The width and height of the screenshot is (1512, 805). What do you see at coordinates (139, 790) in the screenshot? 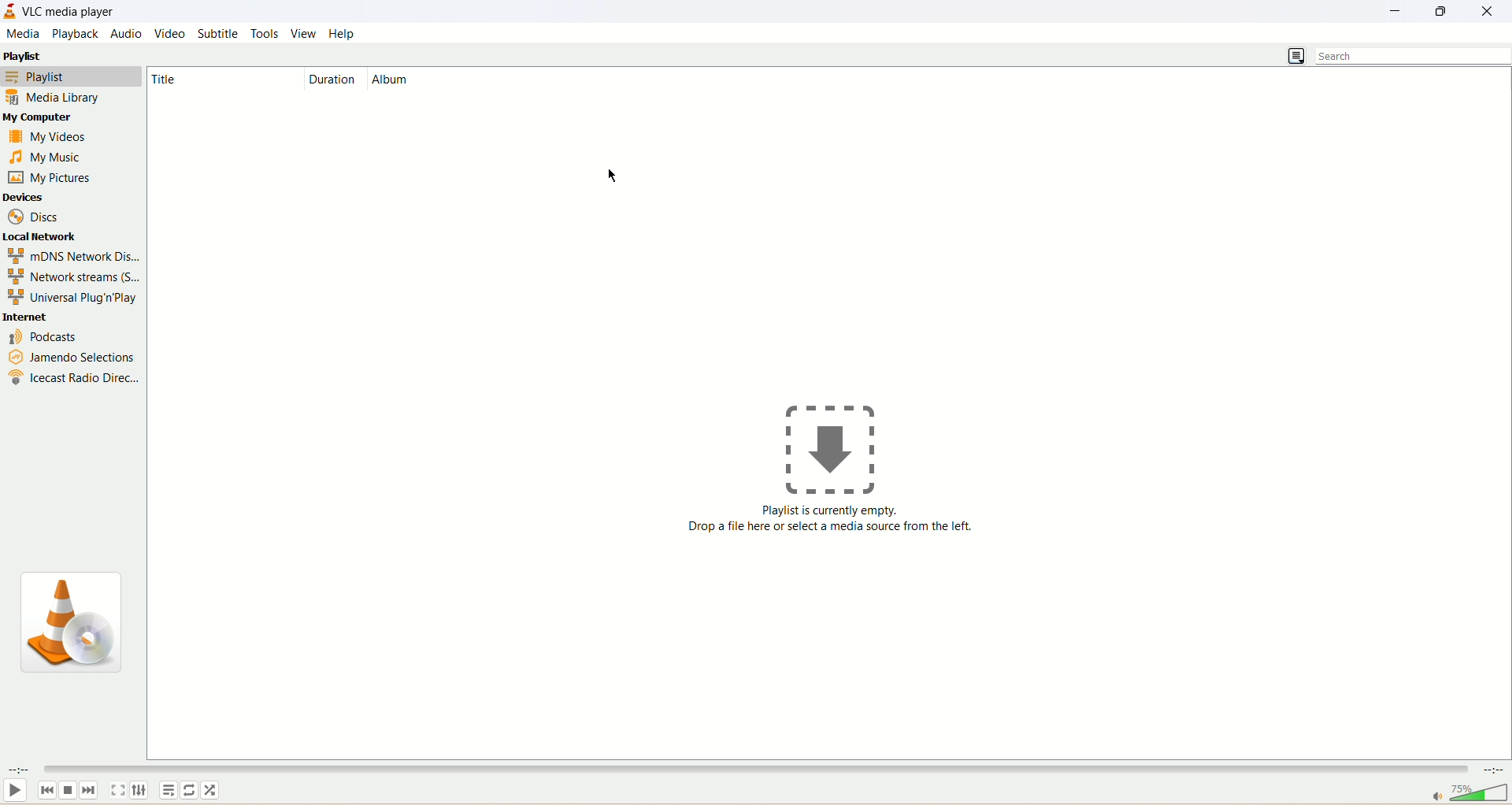
I see `audio/subtitle track` at bounding box center [139, 790].